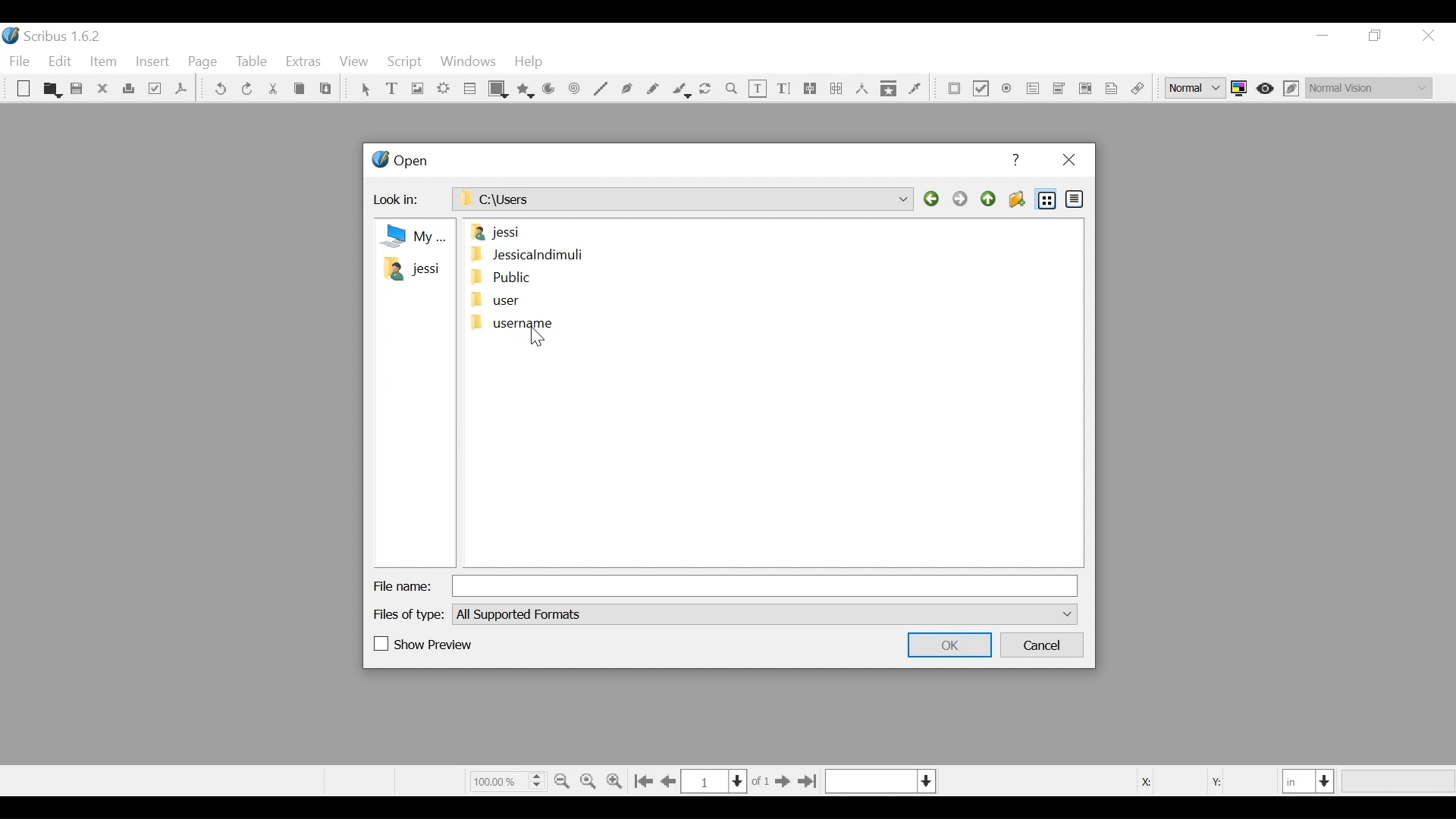 The width and height of the screenshot is (1456, 819). Describe the element at coordinates (221, 89) in the screenshot. I see `undo` at that location.